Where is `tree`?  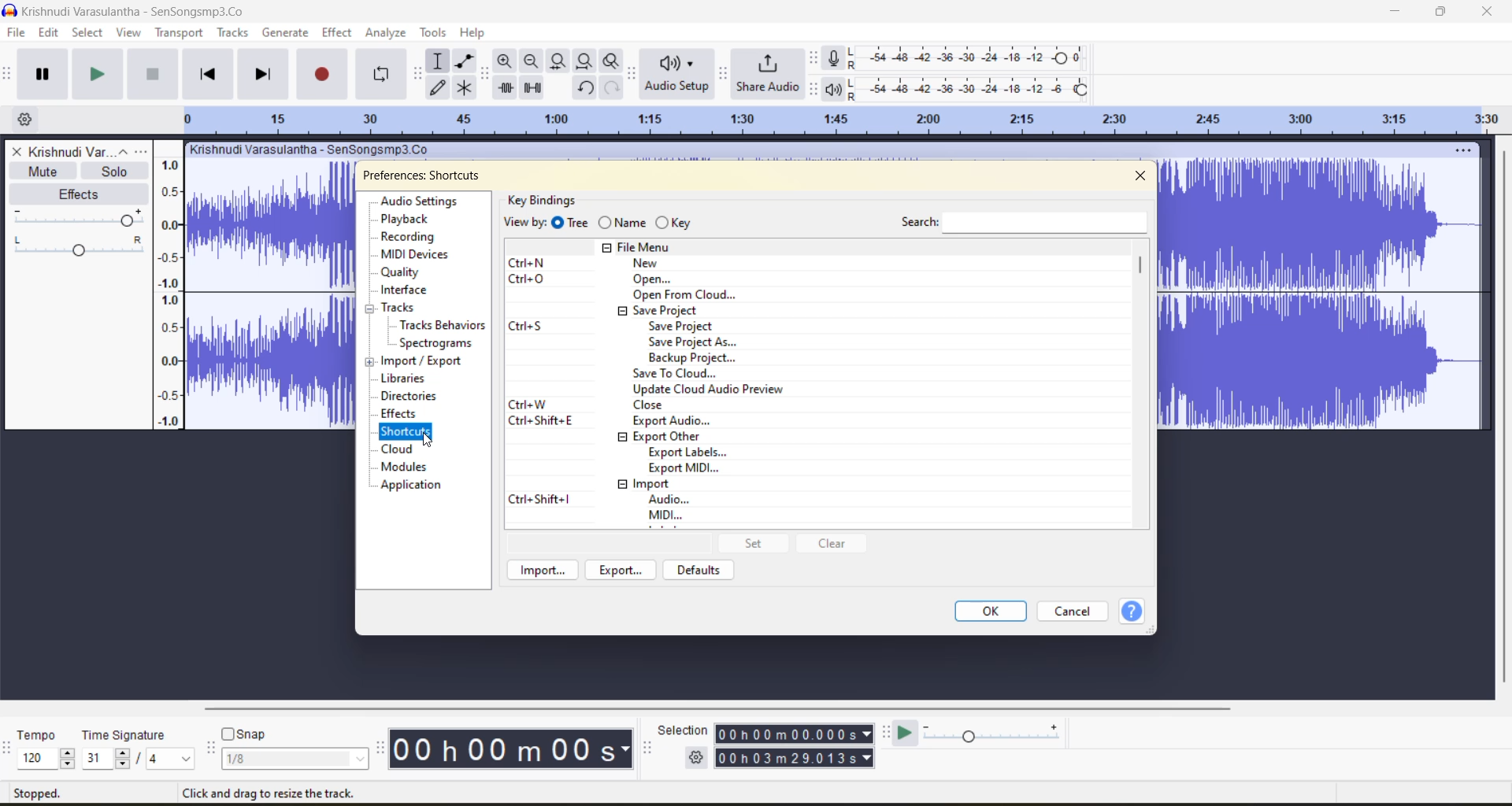 tree is located at coordinates (572, 224).